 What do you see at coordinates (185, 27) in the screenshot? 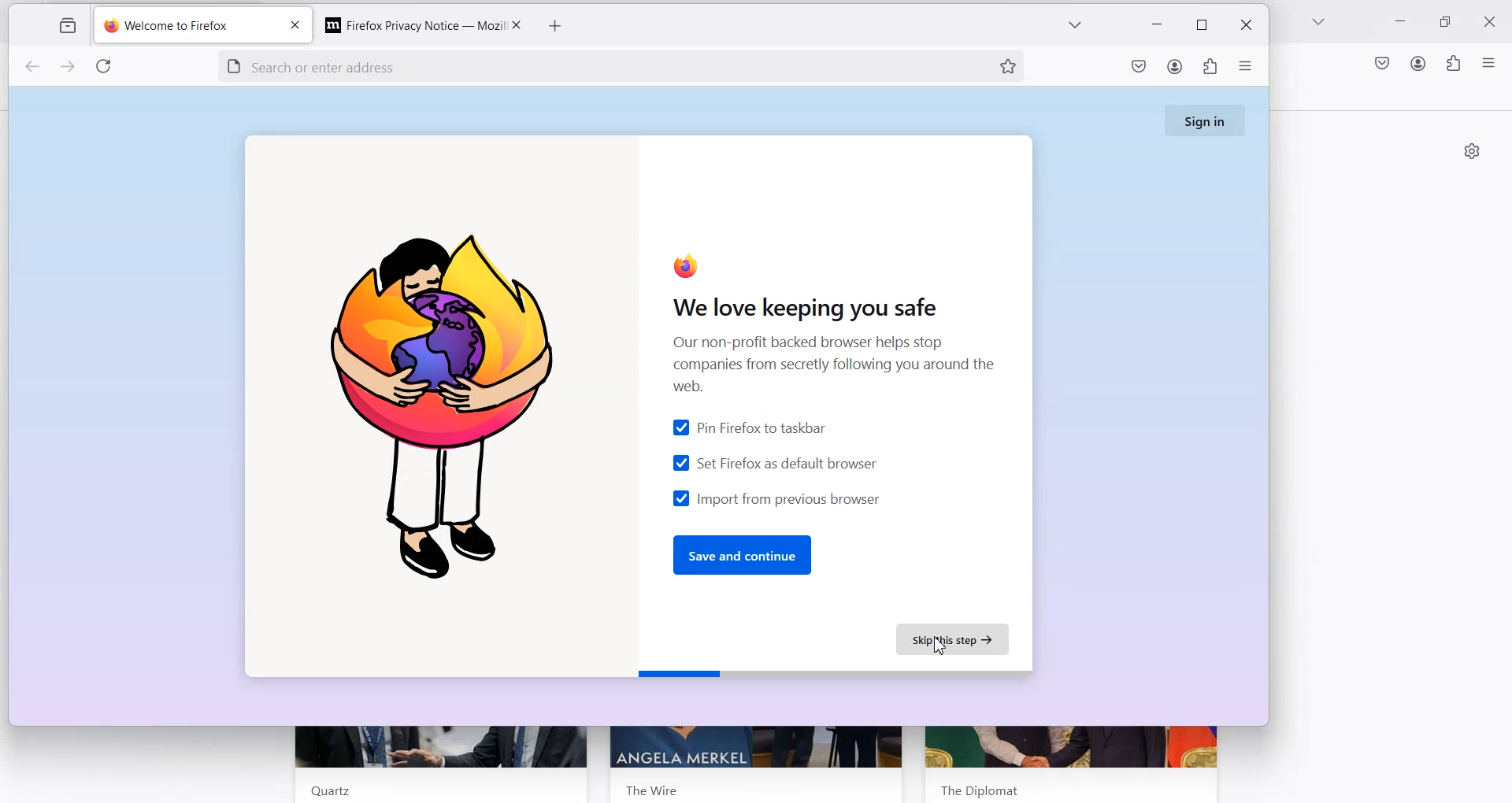
I see `welcome to firefox` at bounding box center [185, 27].